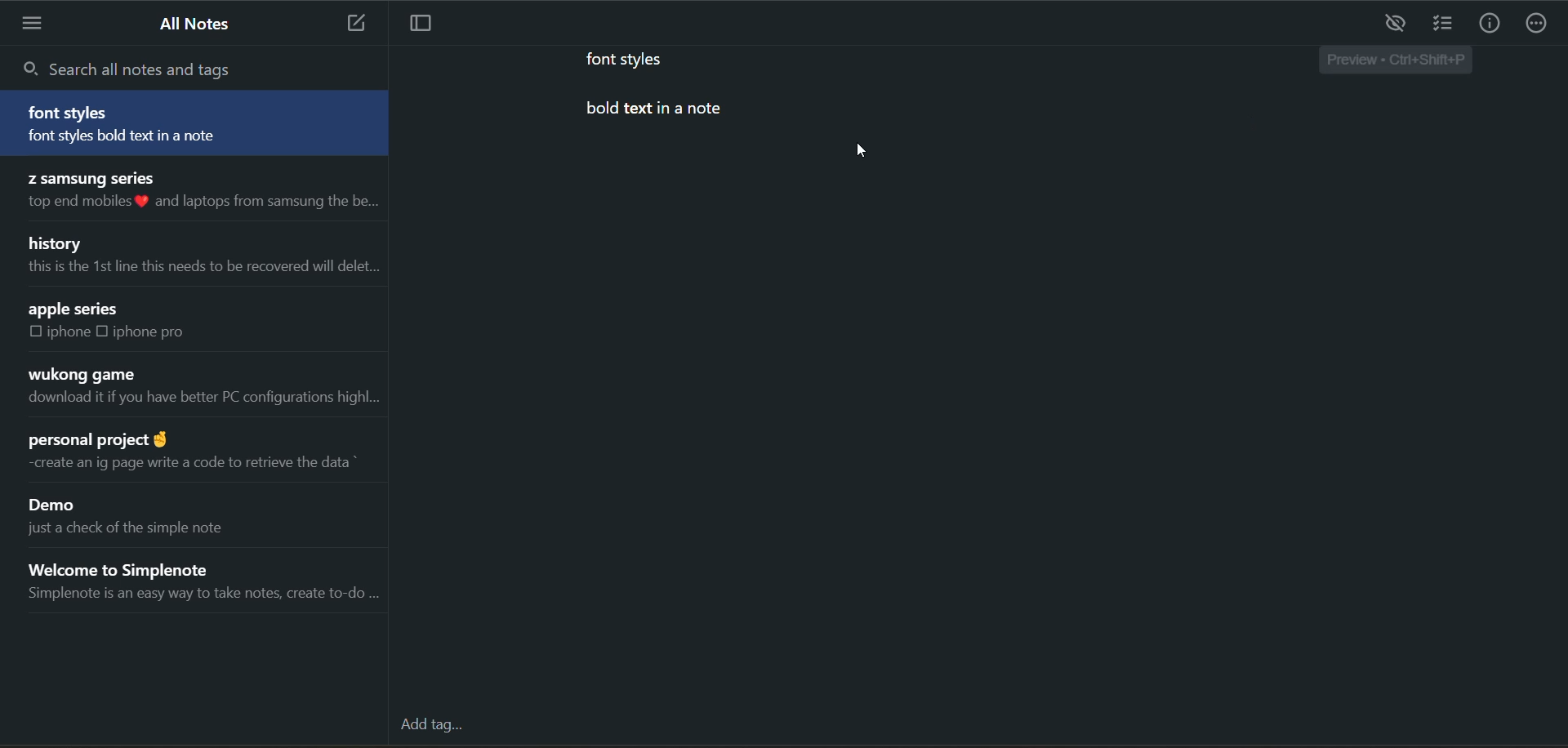 The image size is (1568, 748). What do you see at coordinates (1394, 62) in the screenshot?
I see `Preview « Ctri+Shift+P` at bounding box center [1394, 62].